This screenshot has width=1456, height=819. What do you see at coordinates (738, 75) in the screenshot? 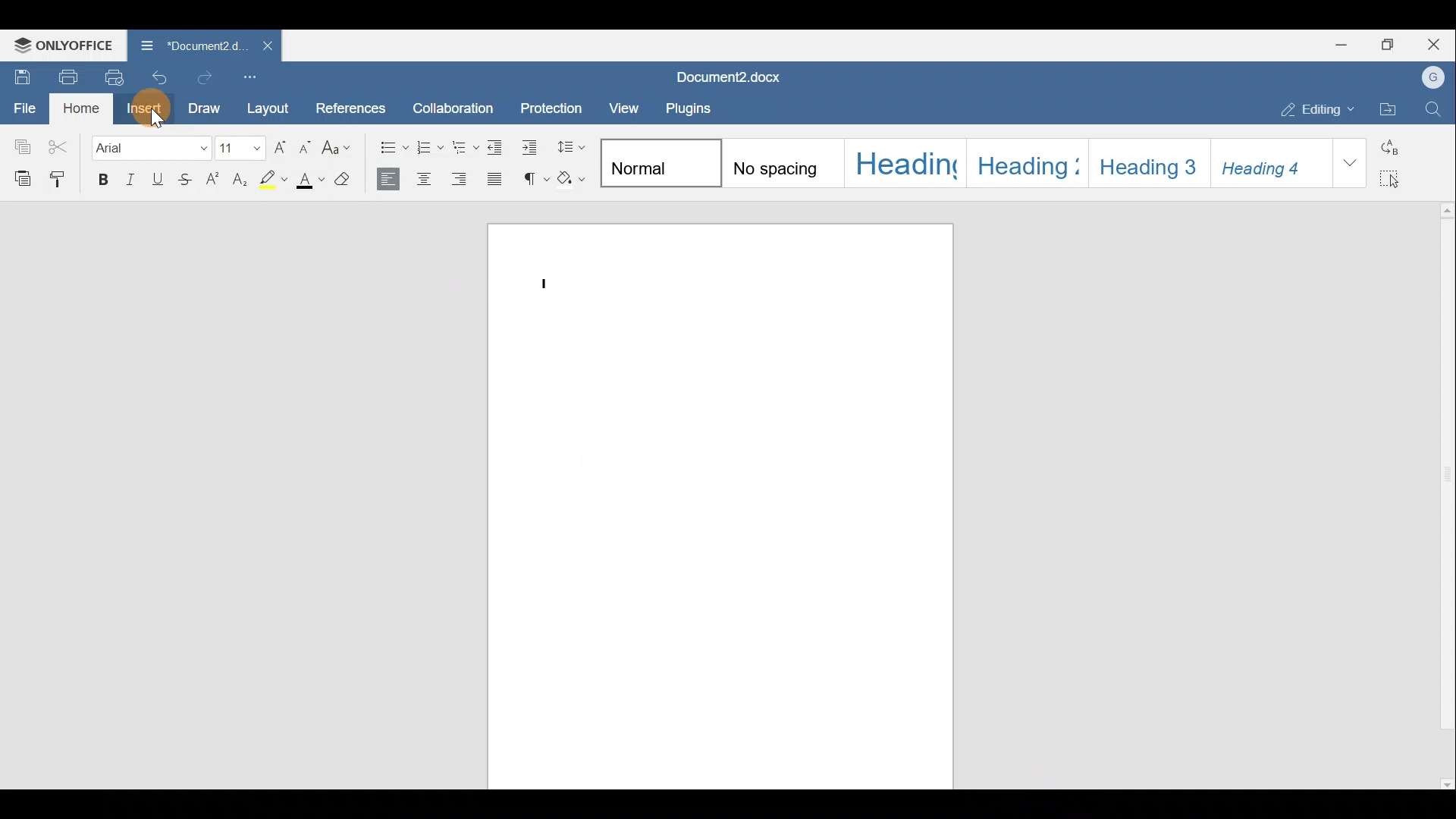
I see `Document name` at bounding box center [738, 75].